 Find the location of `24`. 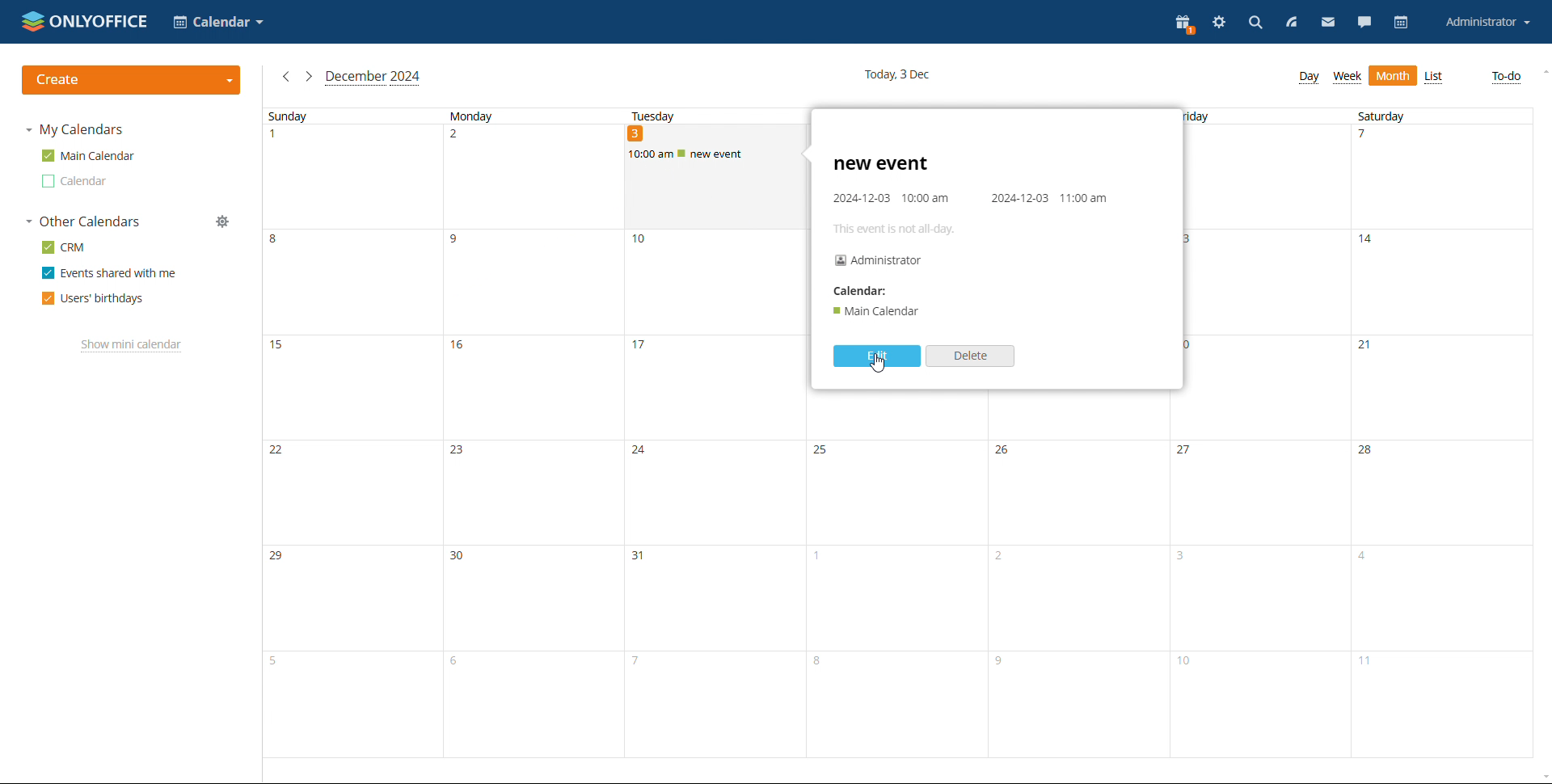

24 is located at coordinates (713, 493).